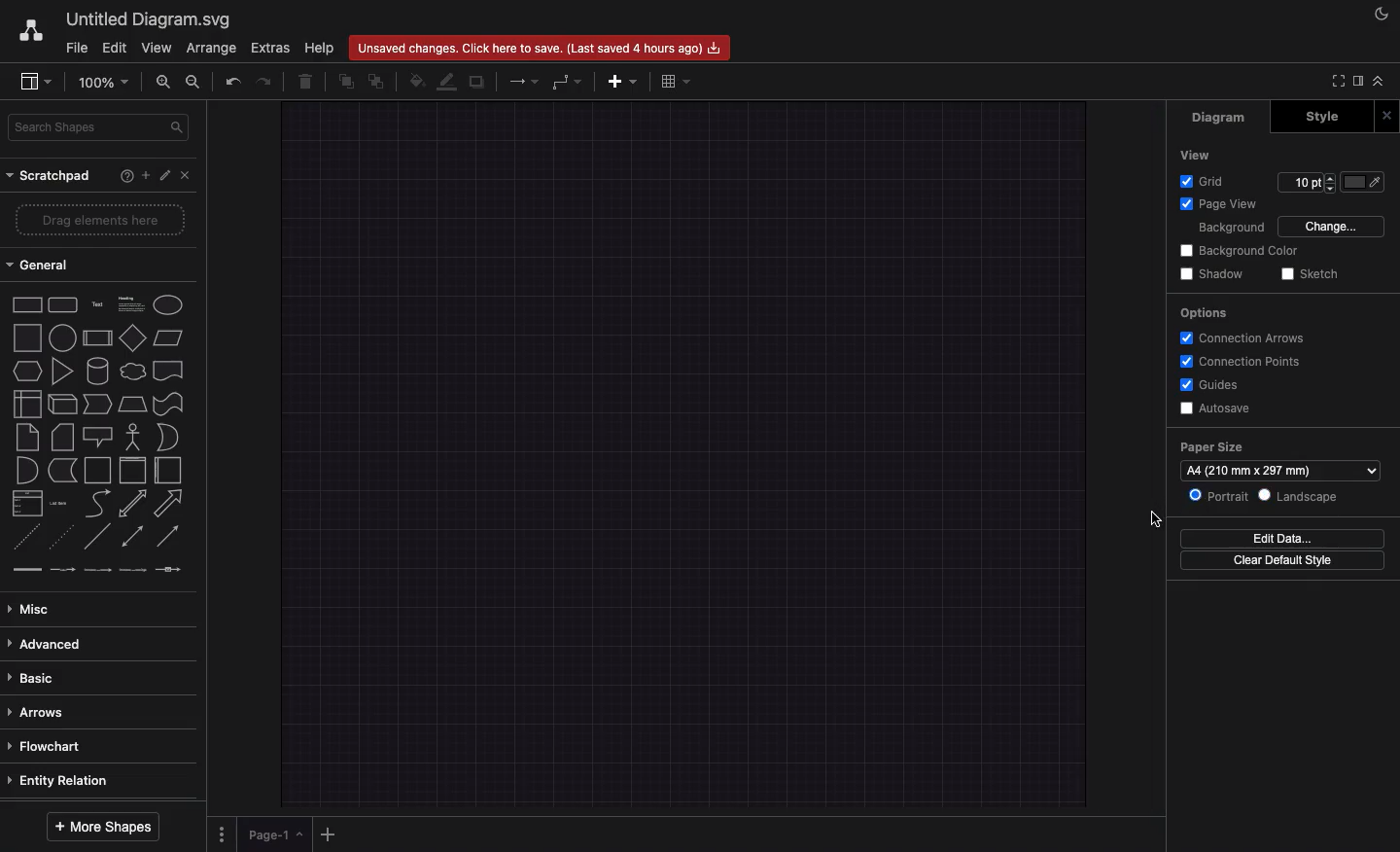  What do you see at coordinates (267, 81) in the screenshot?
I see `Redo` at bounding box center [267, 81].